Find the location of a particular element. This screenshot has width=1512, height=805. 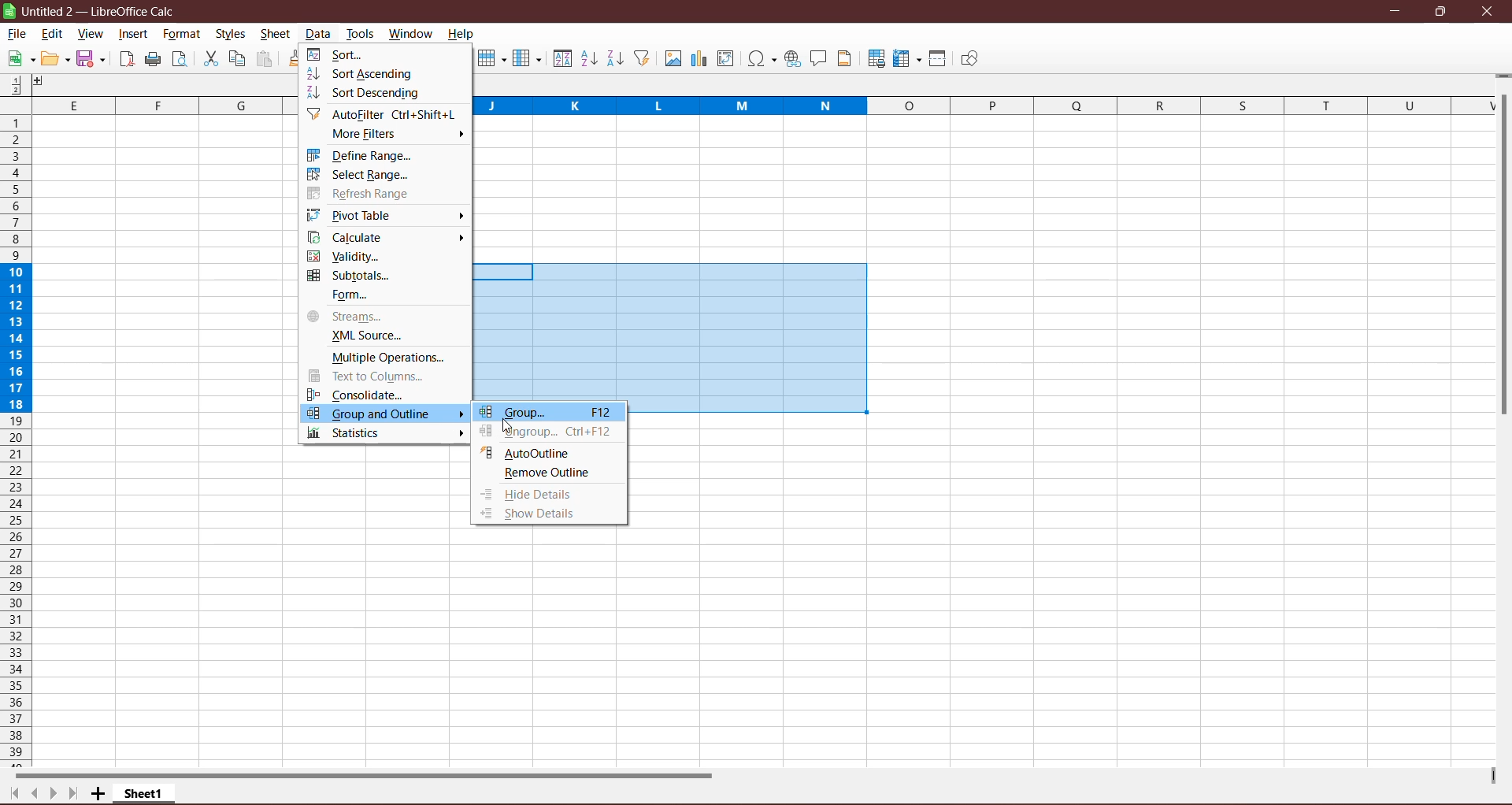

Add New Sheet is located at coordinates (98, 794).